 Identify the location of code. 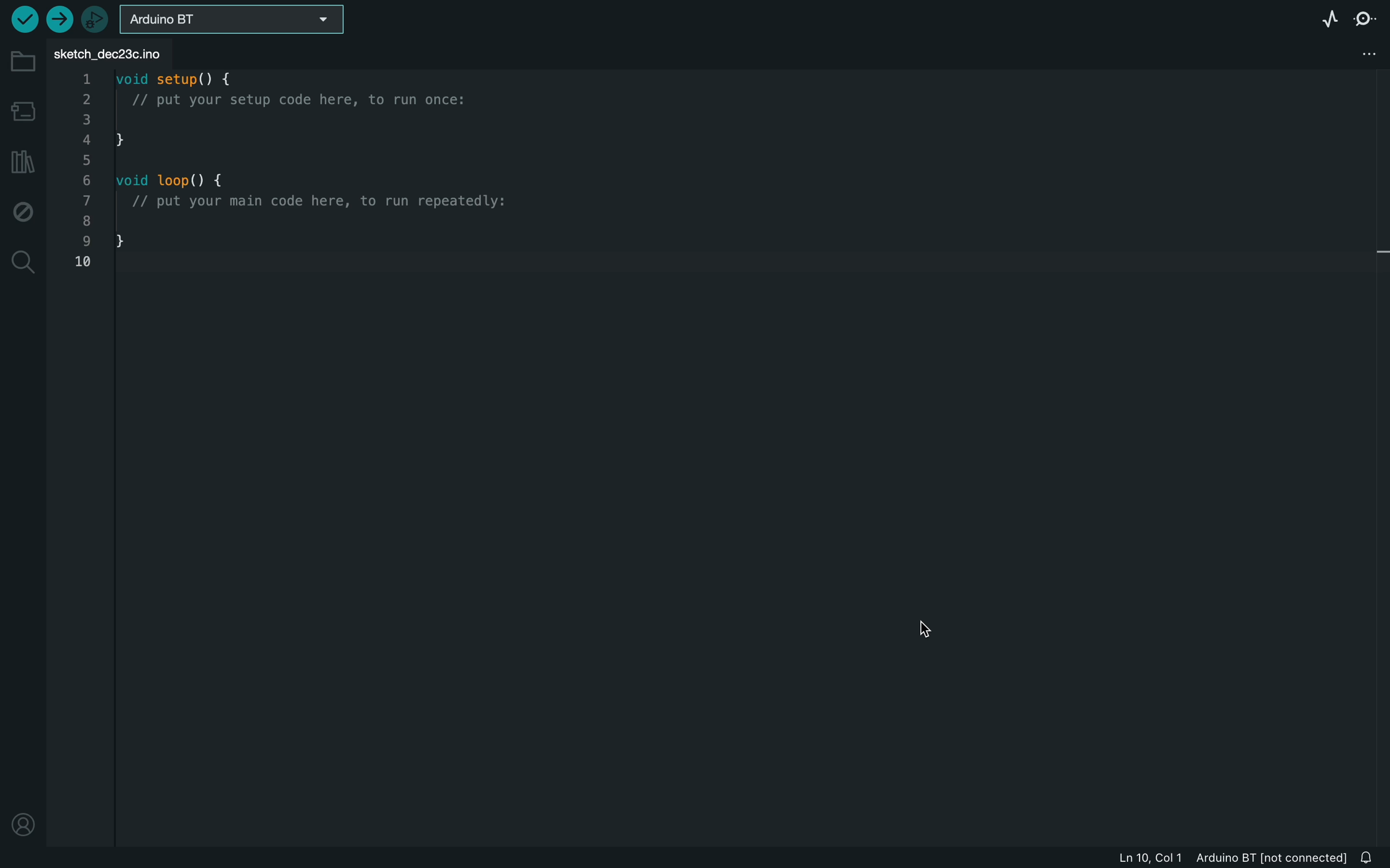
(284, 169).